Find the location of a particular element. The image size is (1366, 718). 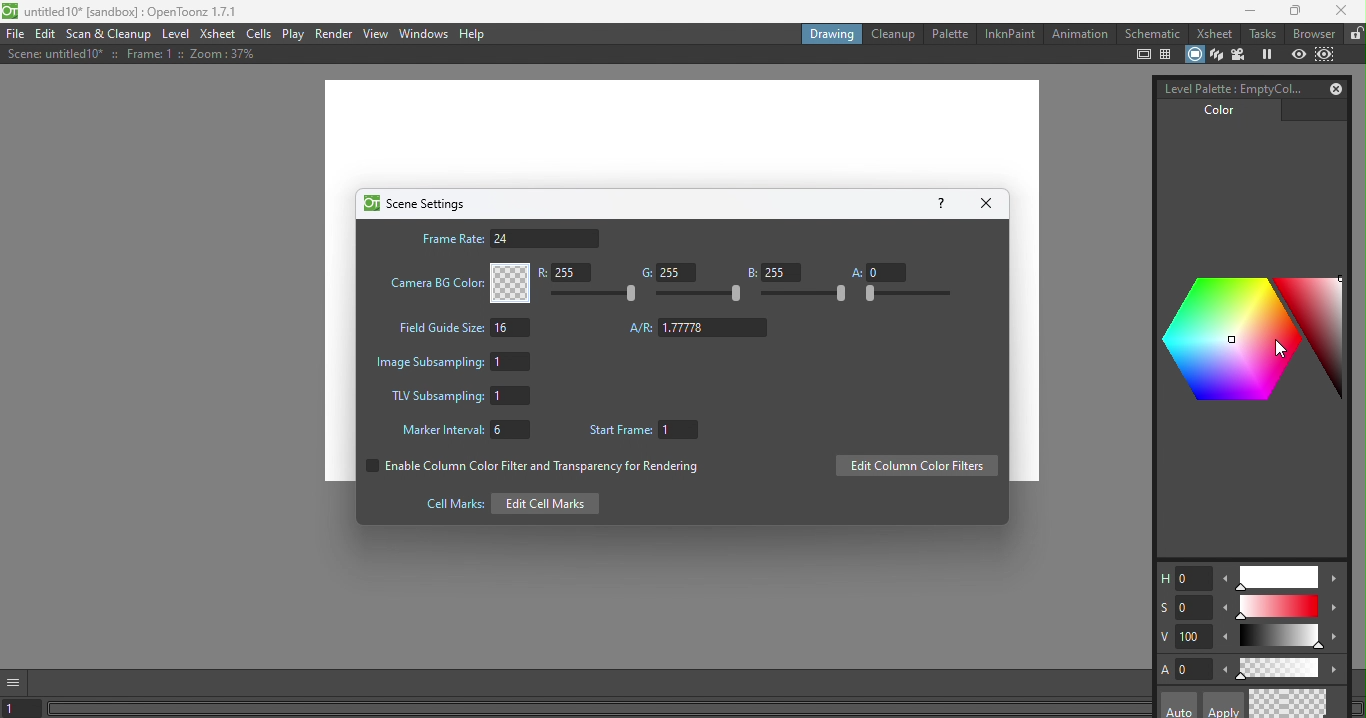

Xsheet is located at coordinates (216, 34).